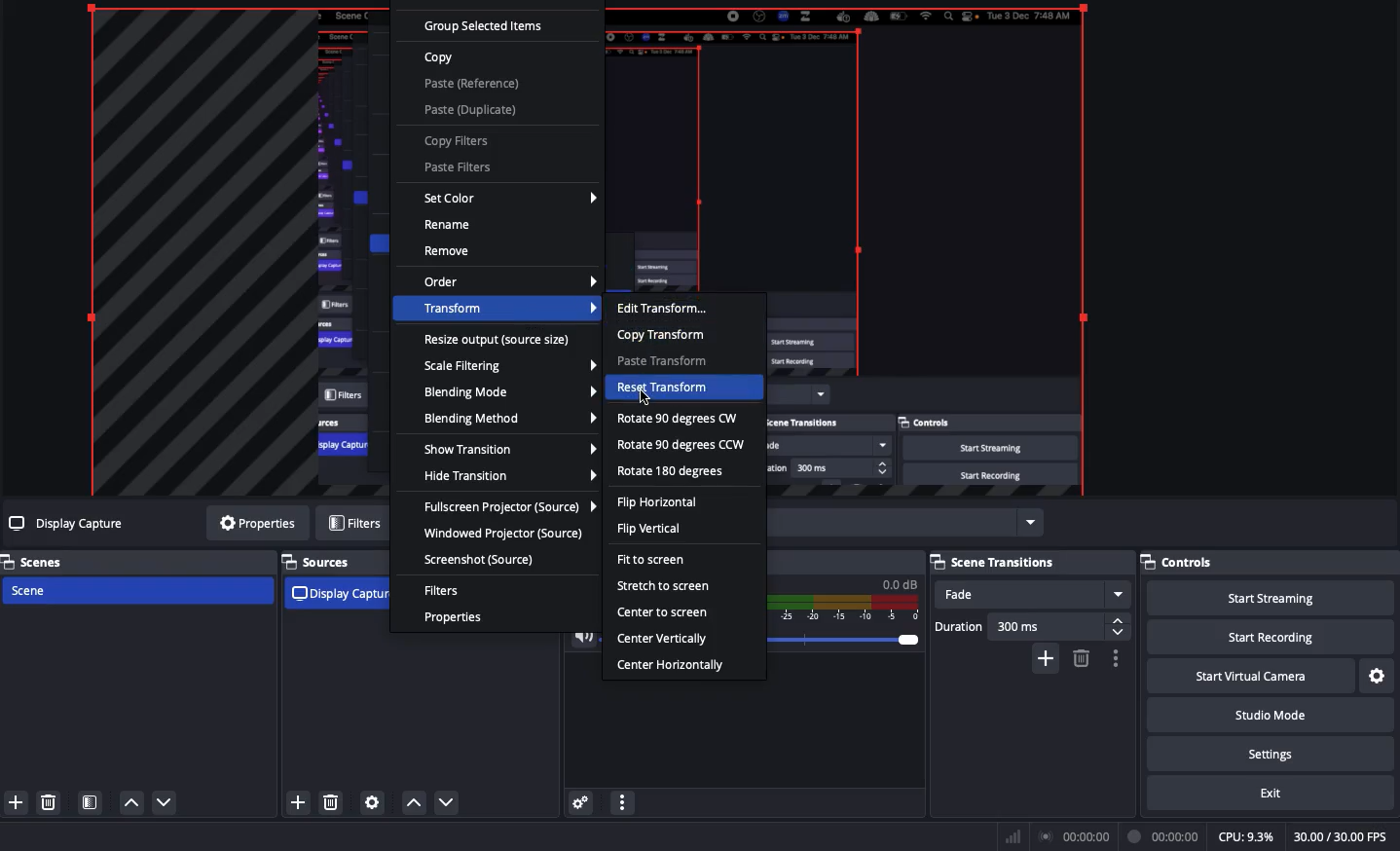 The image size is (1400, 851). I want to click on Display capture, so click(343, 593).